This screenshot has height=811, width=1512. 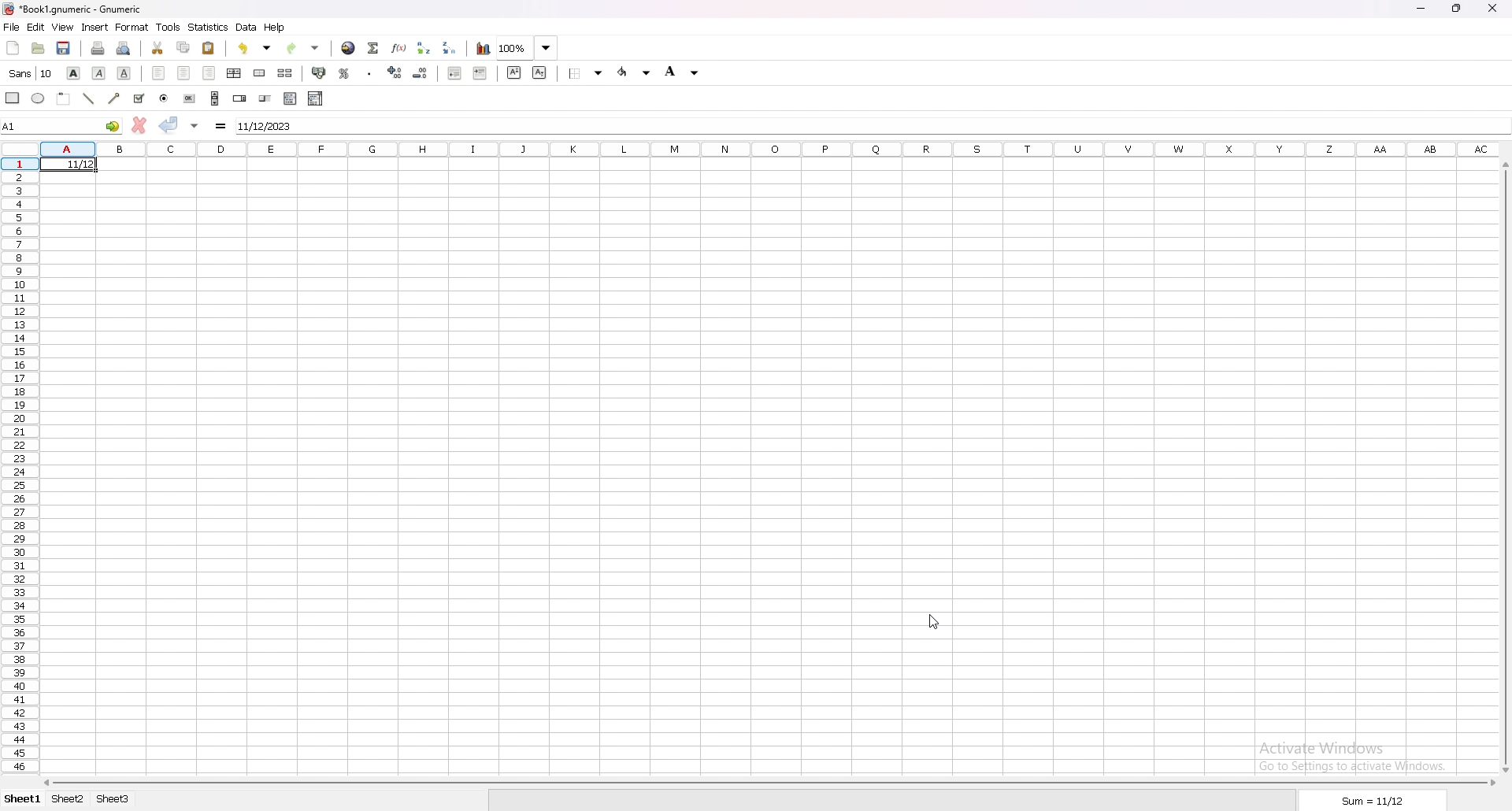 I want to click on close, so click(x=1494, y=9).